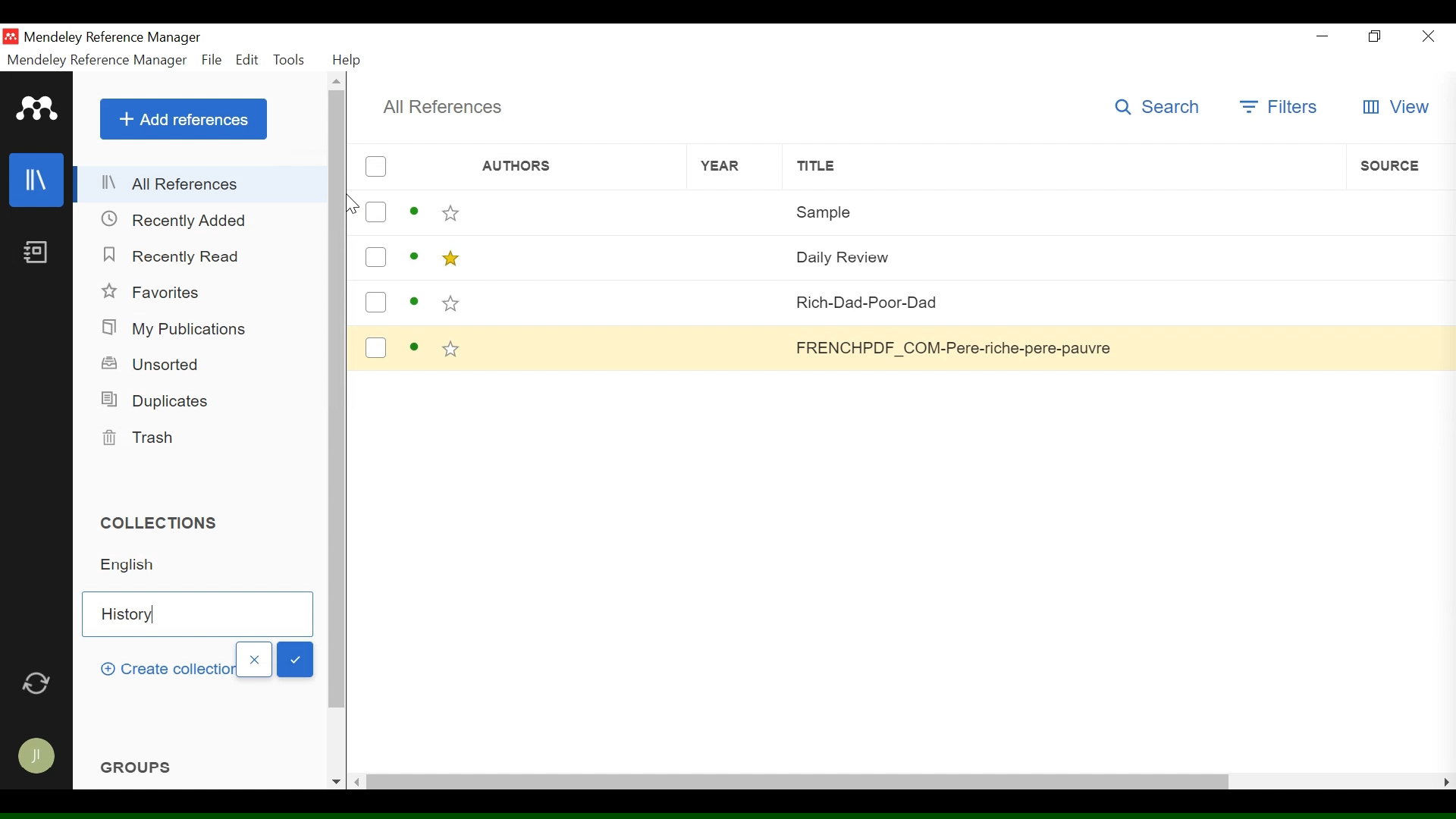 Image resolution: width=1456 pixels, height=819 pixels. I want to click on Mendeley Reference Manager, so click(113, 39).